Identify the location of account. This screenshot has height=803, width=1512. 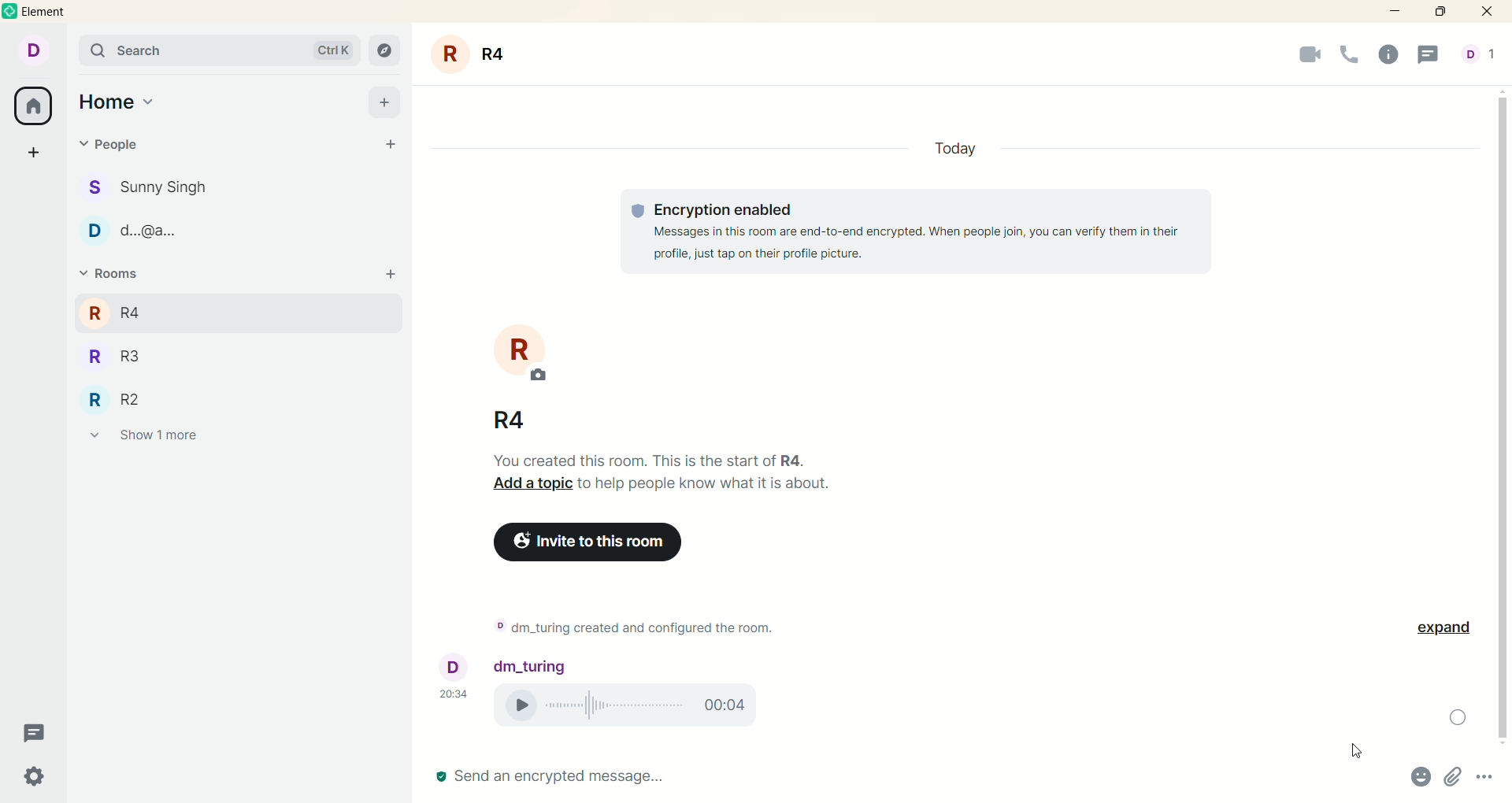
(39, 52).